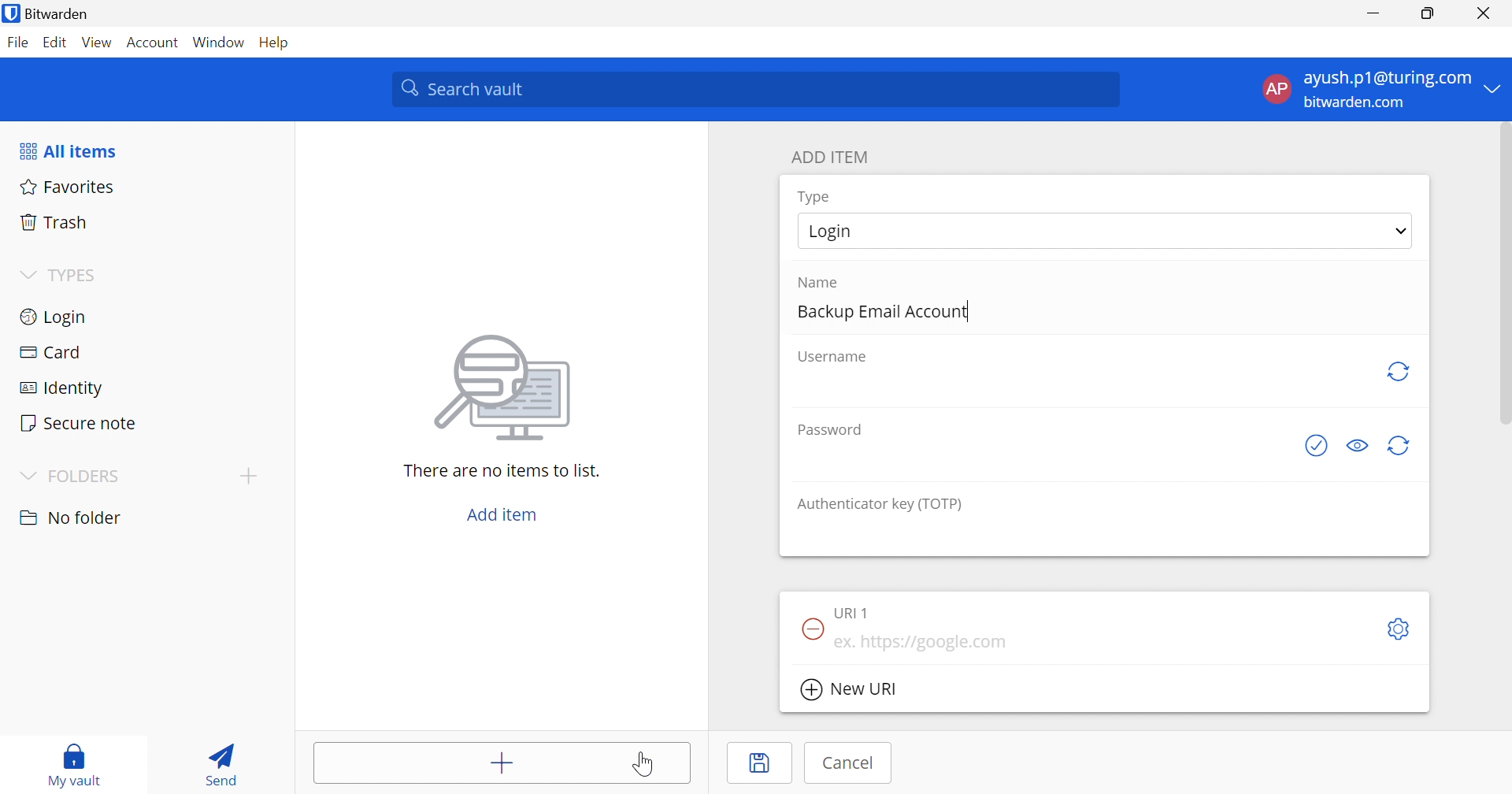  I want to click on Add folder, so click(249, 477).